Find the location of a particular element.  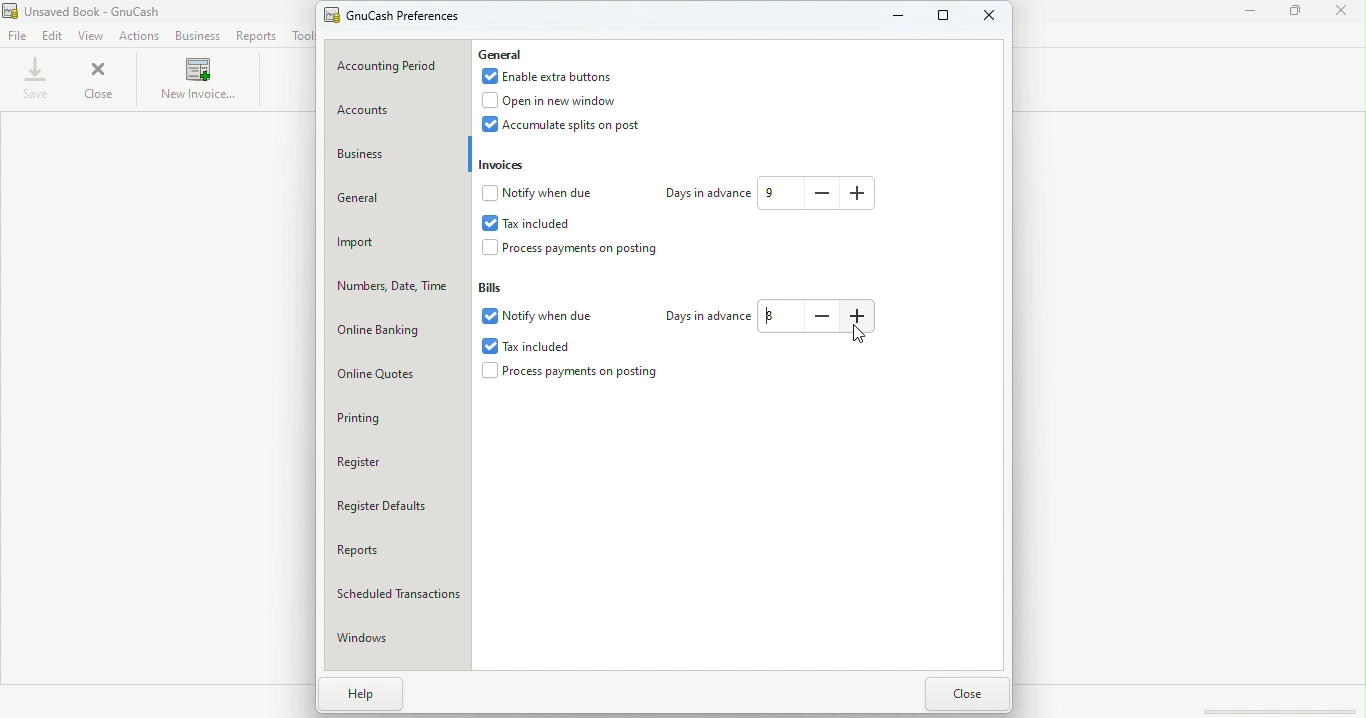

Maximize is located at coordinates (1299, 15).